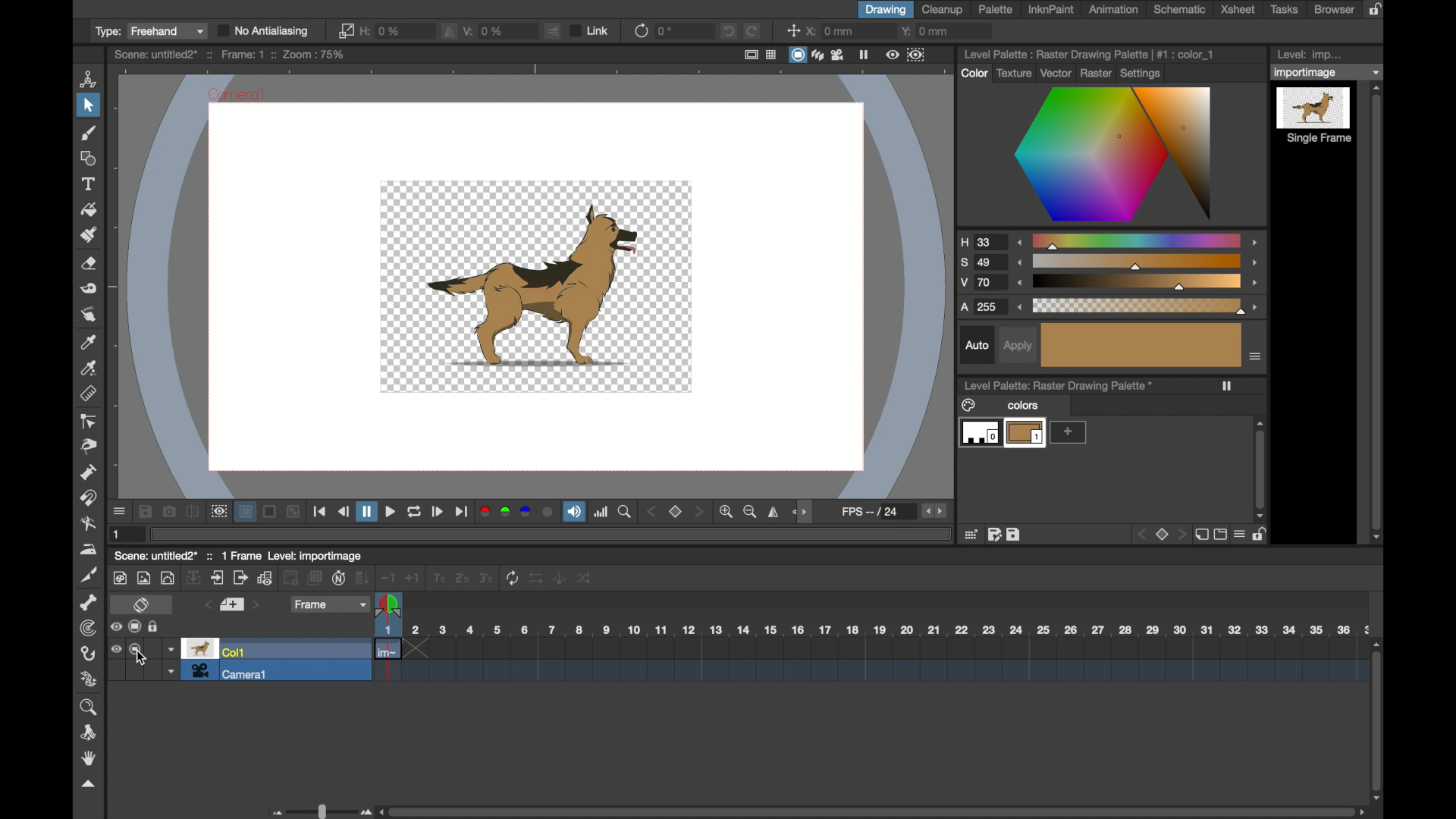 This screenshot has height=819, width=1456. Describe the element at coordinates (331, 604) in the screenshot. I see `frame` at that location.